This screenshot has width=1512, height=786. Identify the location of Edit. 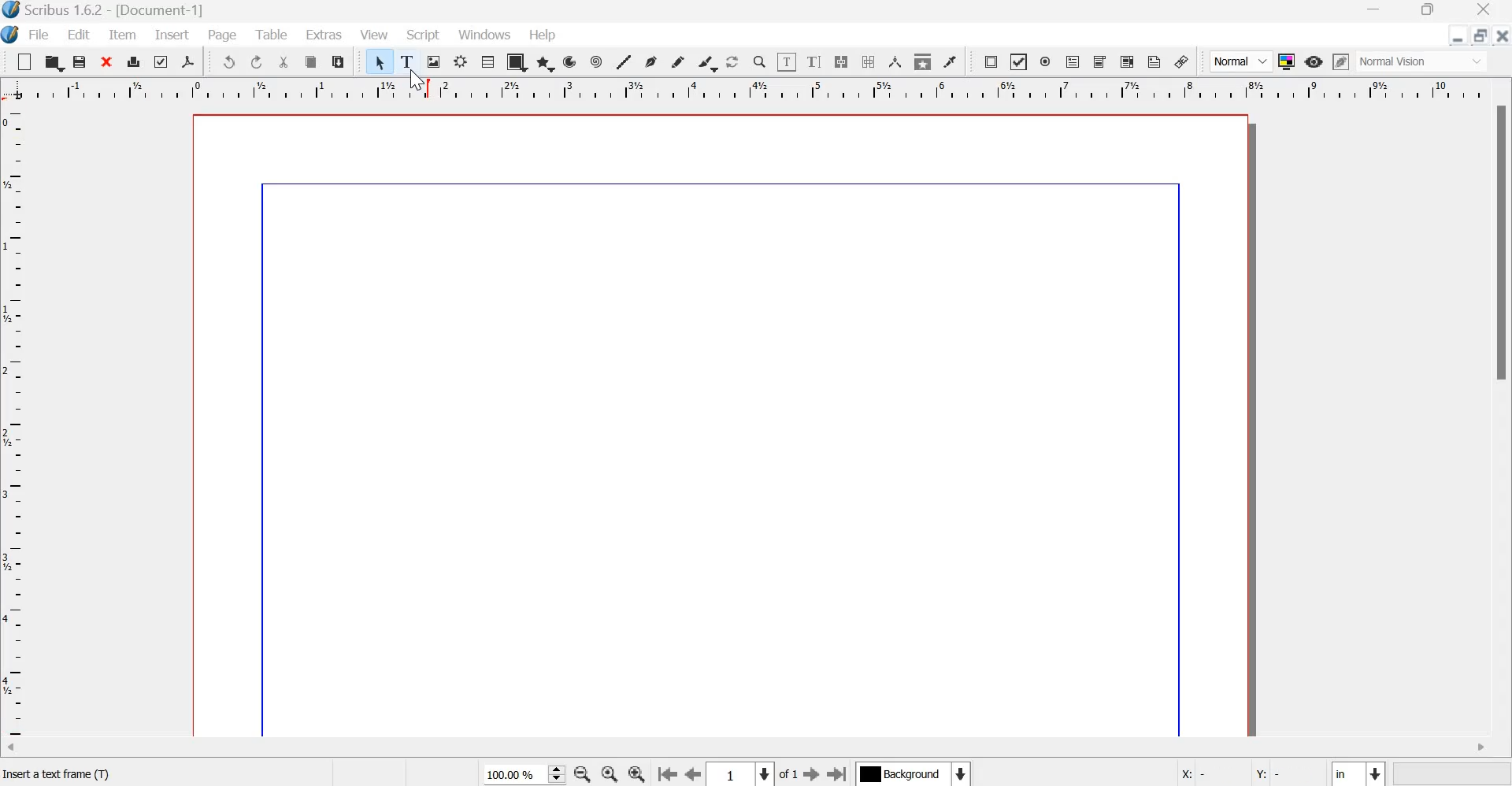
(80, 34).